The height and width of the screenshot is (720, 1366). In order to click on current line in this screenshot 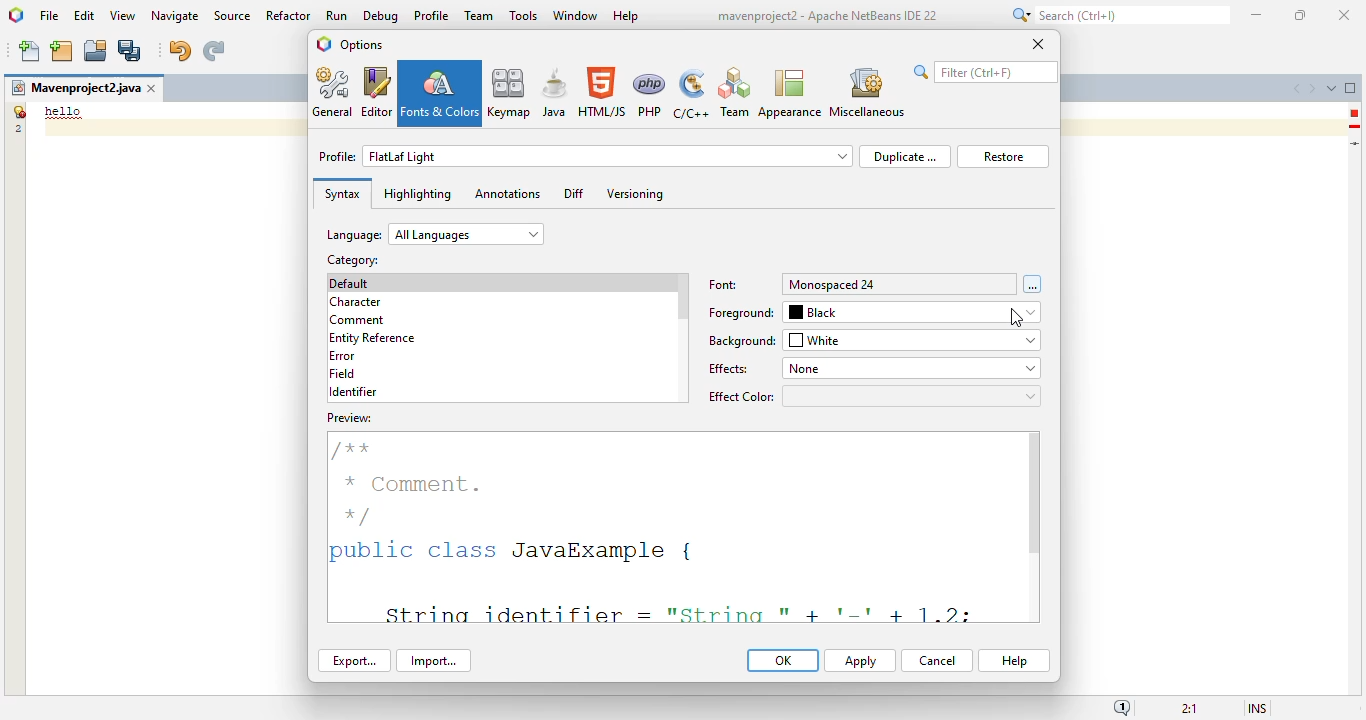, I will do `click(1356, 143)`.